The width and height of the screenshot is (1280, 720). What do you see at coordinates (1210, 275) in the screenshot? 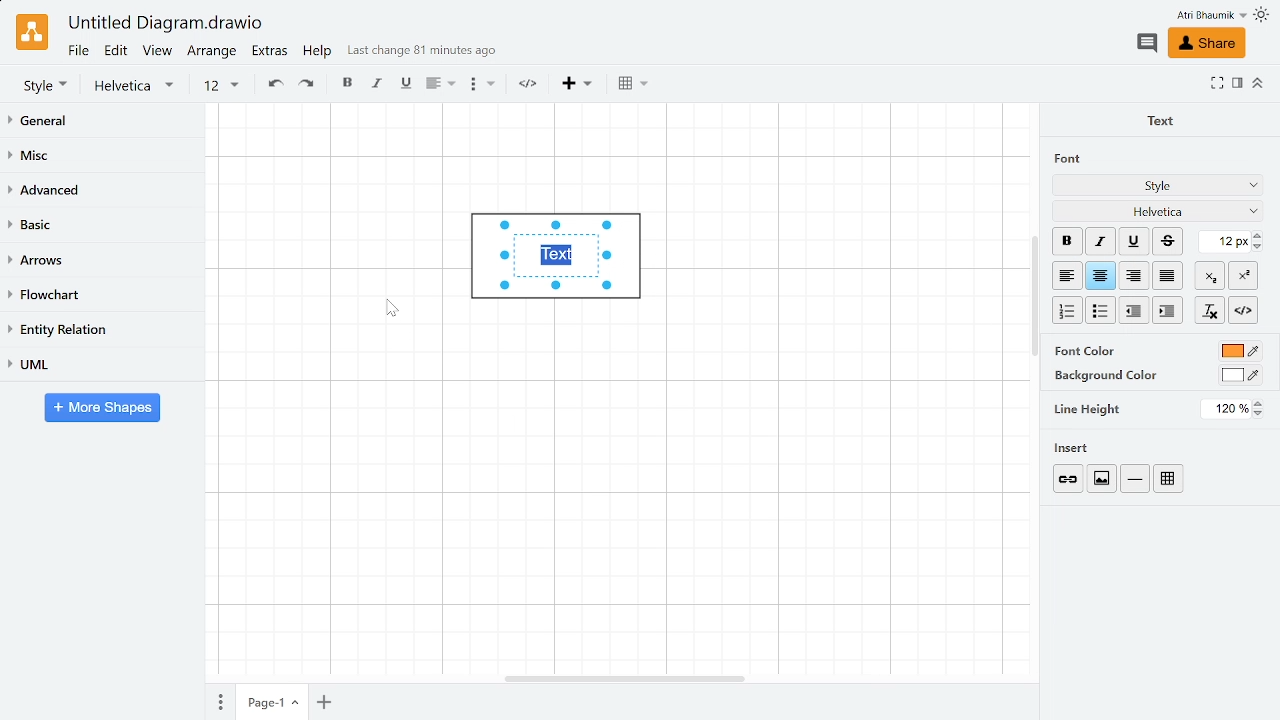
I see `Subscript` at bounding box center [1210, 275].